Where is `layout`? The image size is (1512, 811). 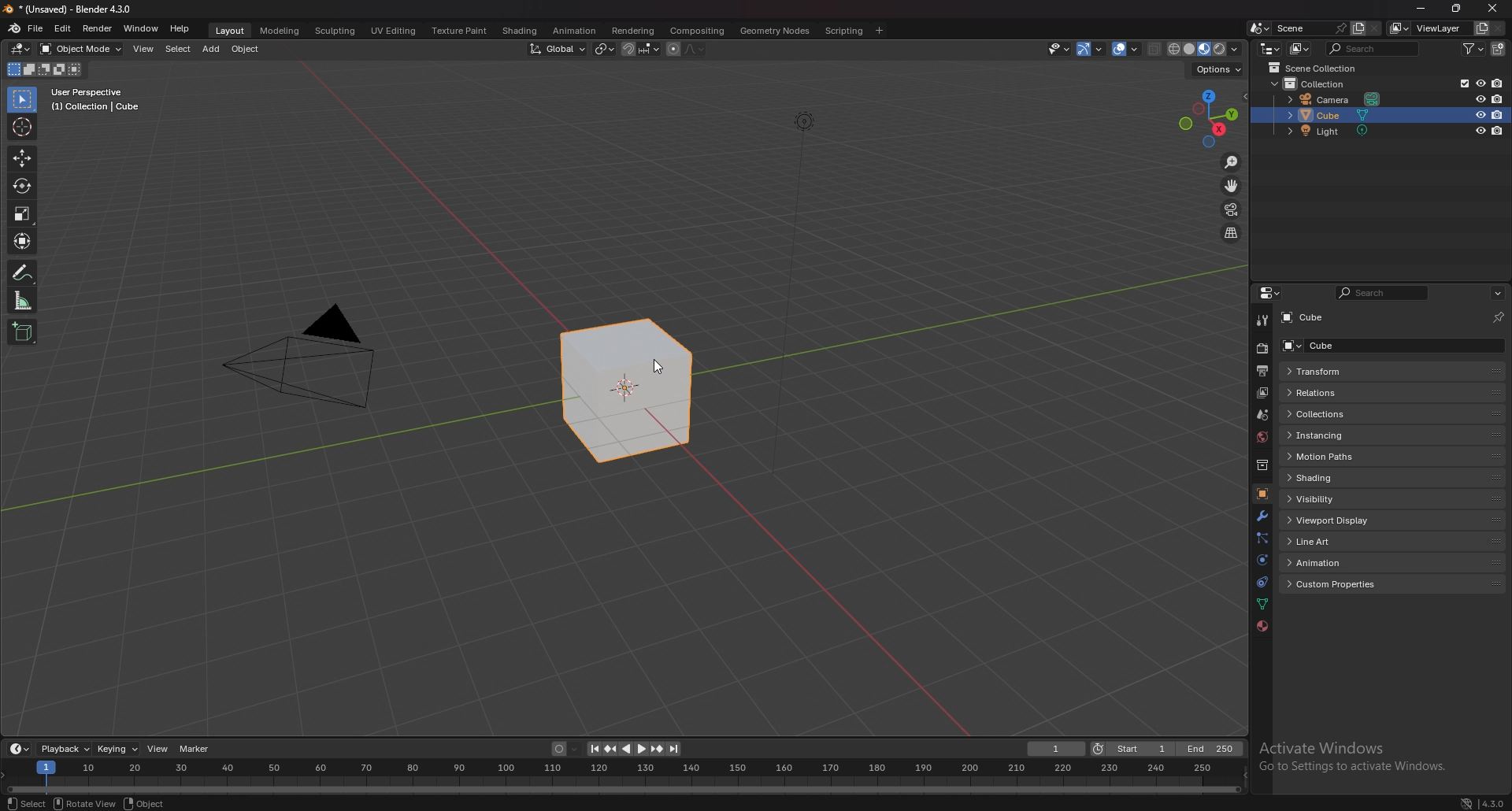
layout is located at coordinates (229, 31).